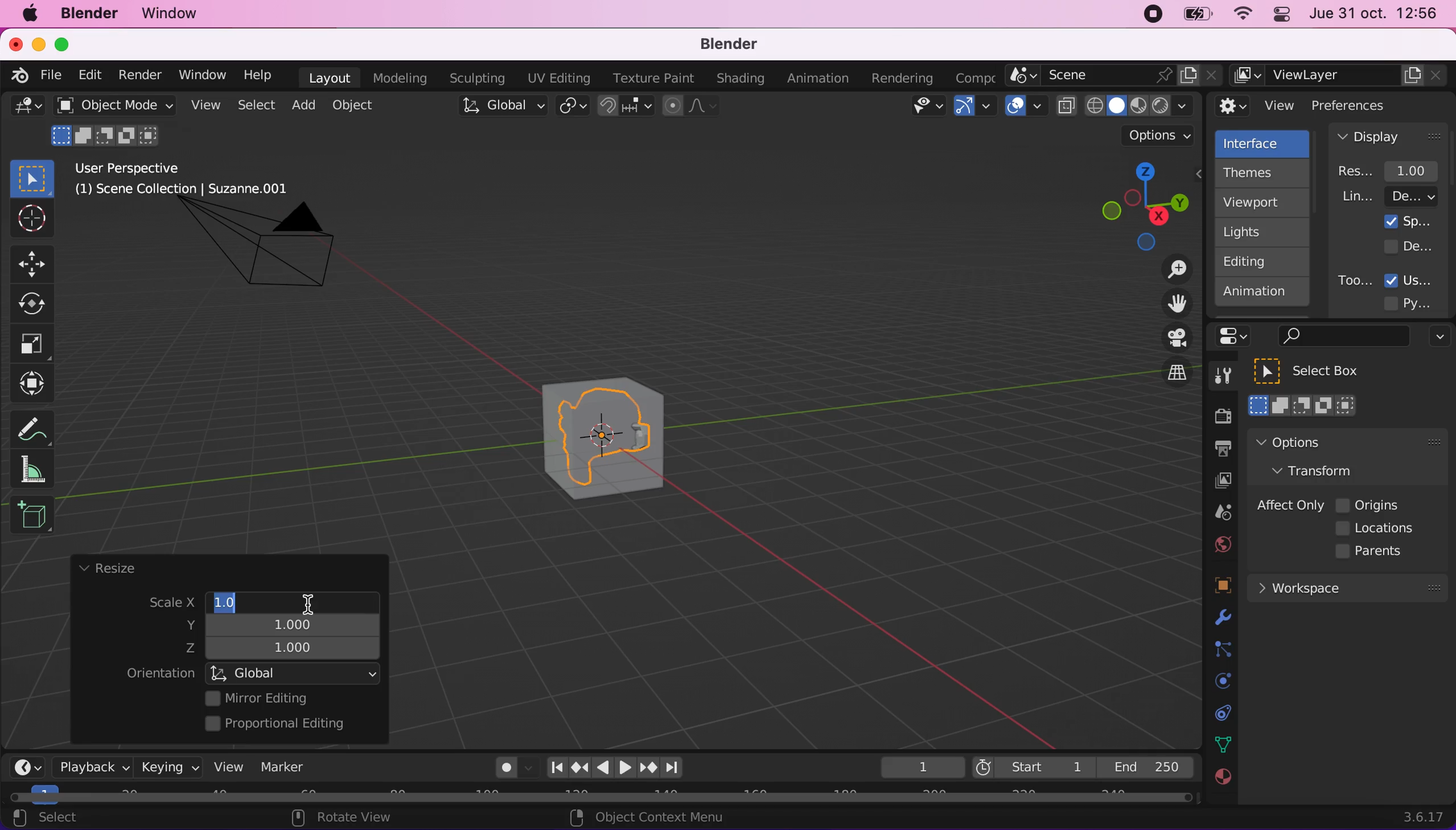 This screenshot has height=830, width=1456. What do you see at coordinates (925, 108) in the screenshot?
I see `view object types` at bounding box center [925, 108].